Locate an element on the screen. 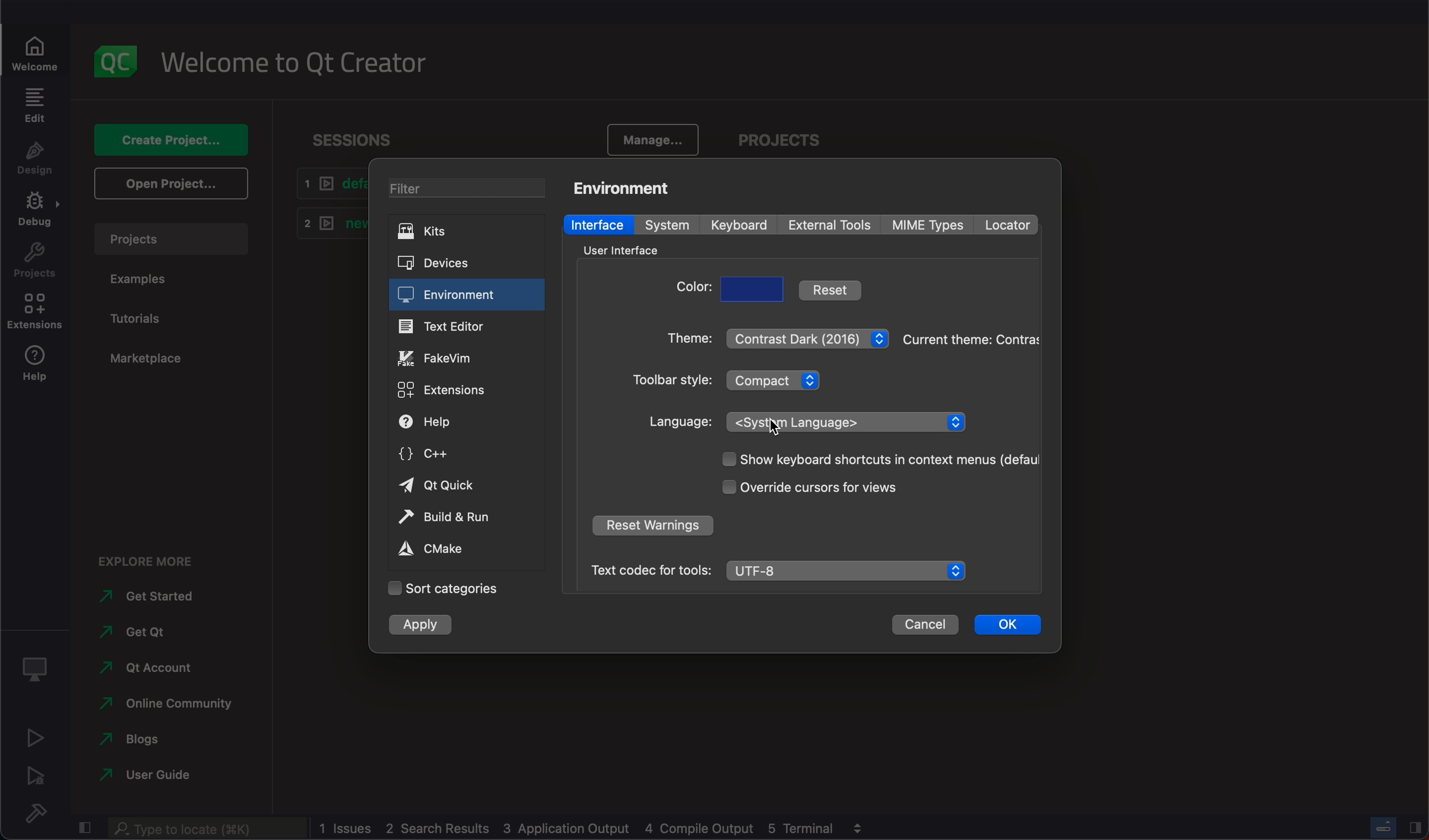 This screenshot has width=1429, height=840. cancel is located at coordinates (928, 626).